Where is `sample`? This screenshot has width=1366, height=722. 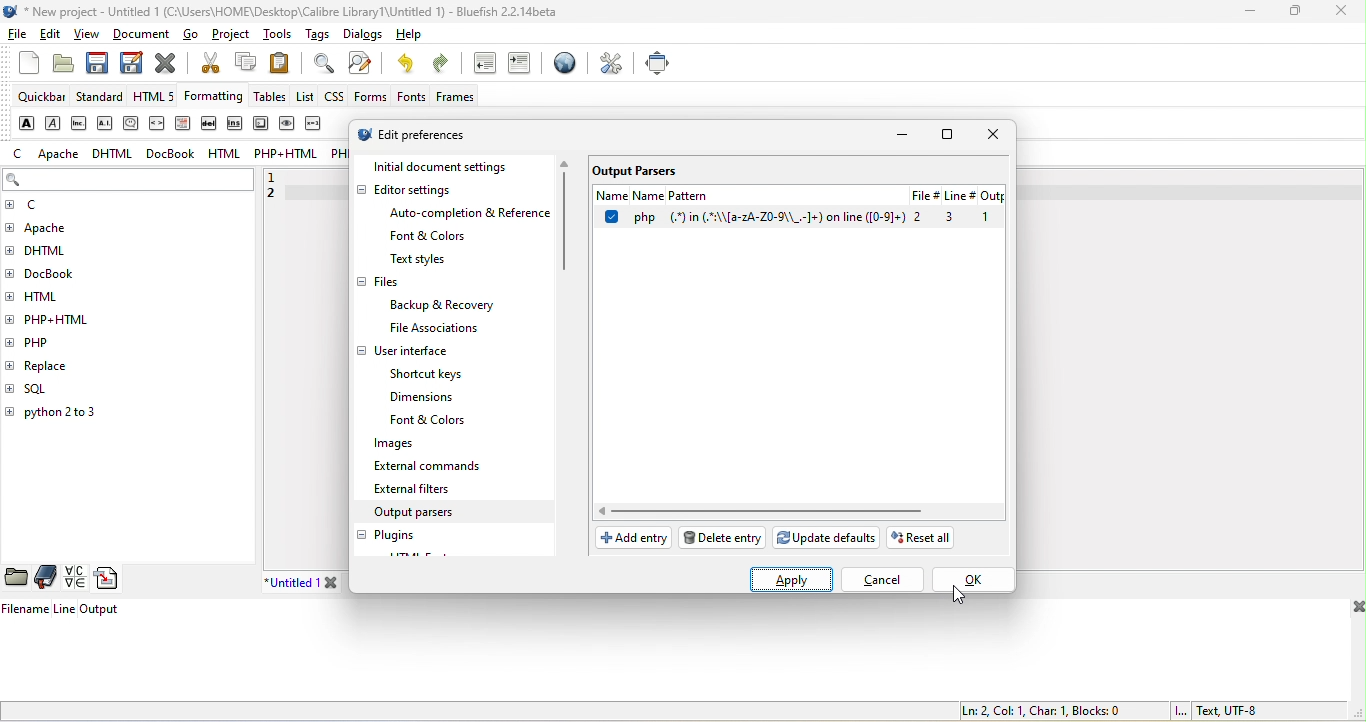 sample is located at coordinates (288, 126).